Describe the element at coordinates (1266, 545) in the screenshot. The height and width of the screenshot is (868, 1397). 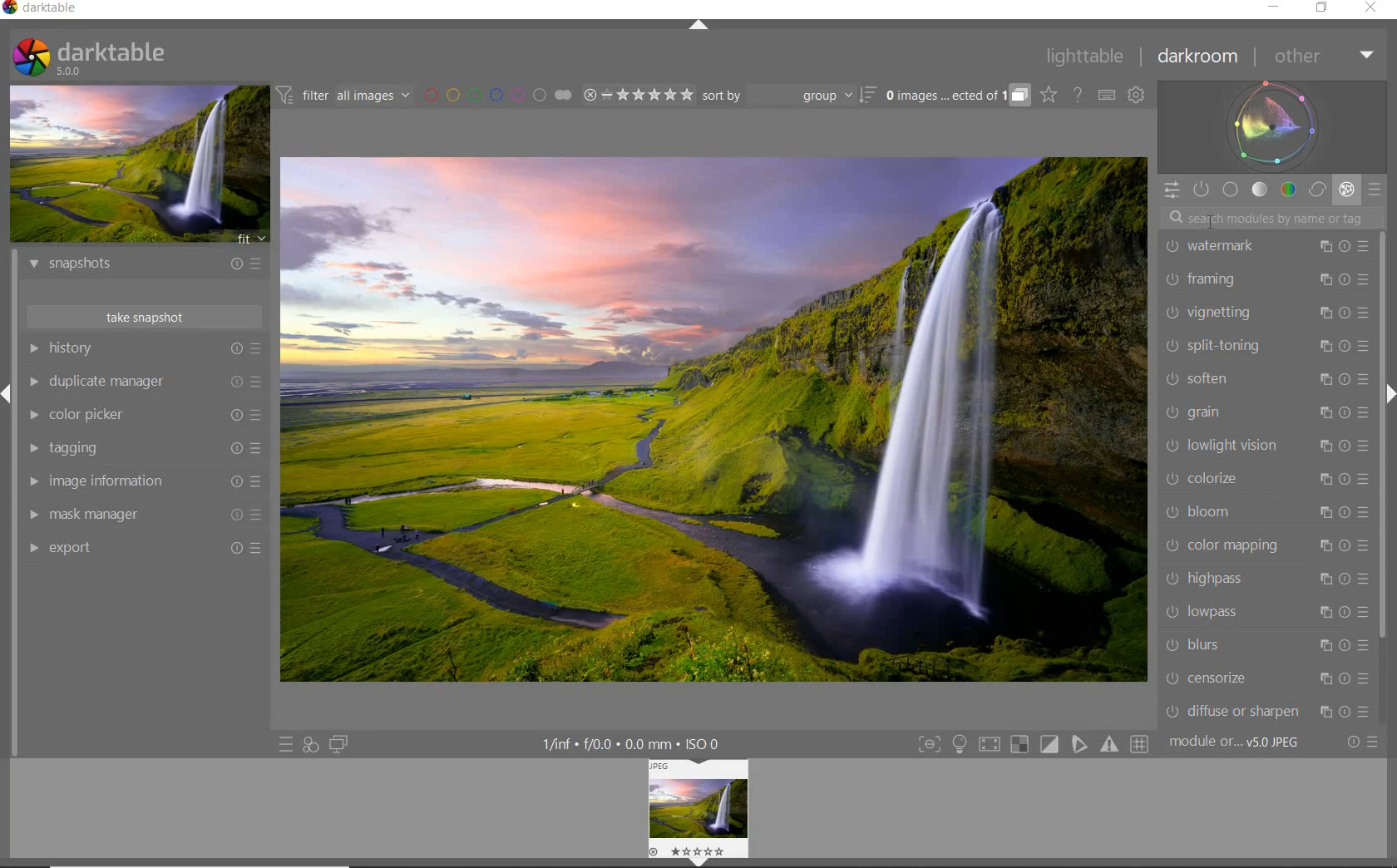
I see `color mapping` at that location.